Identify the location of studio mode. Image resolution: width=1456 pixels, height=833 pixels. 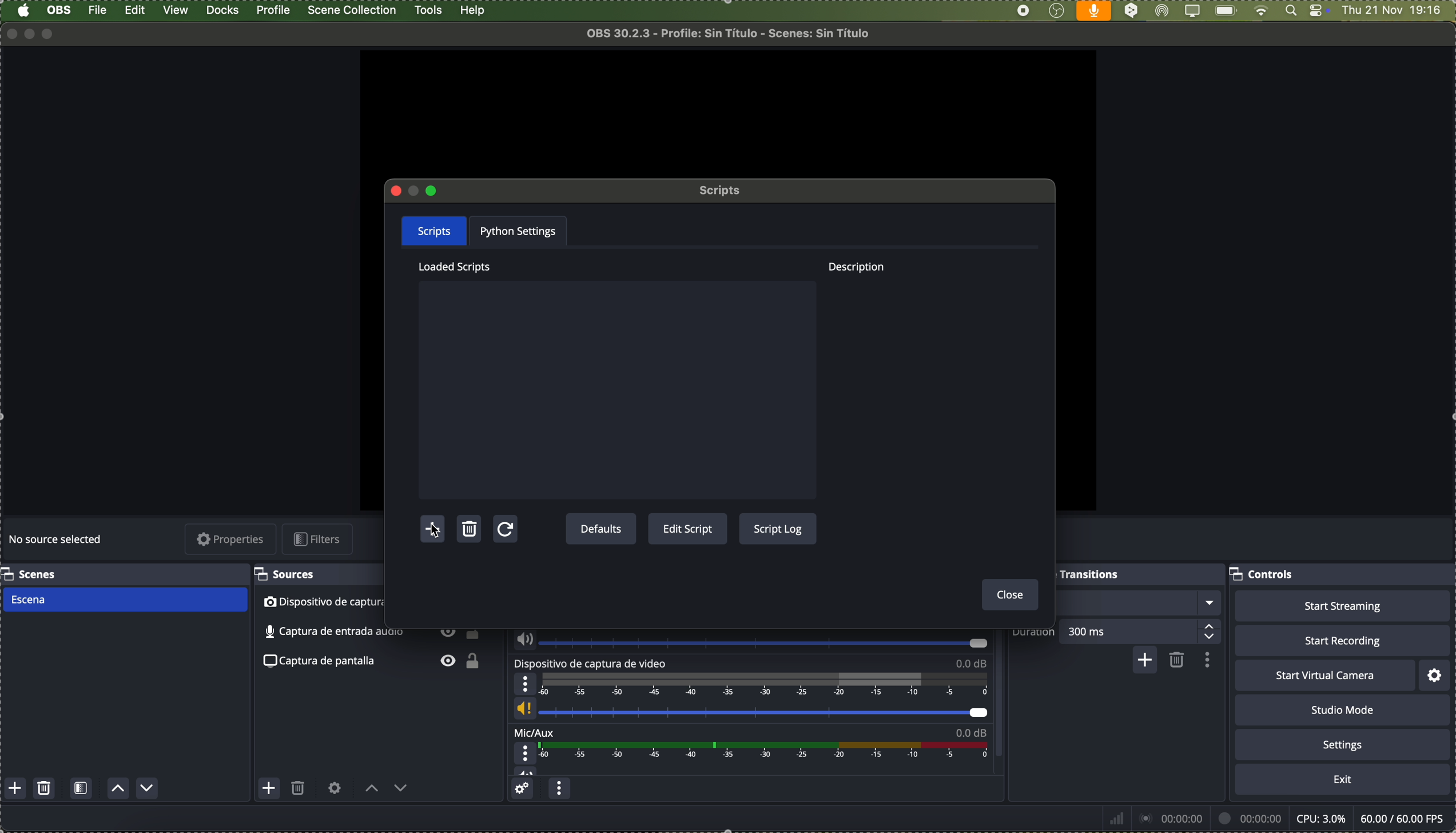
(1343, 710).